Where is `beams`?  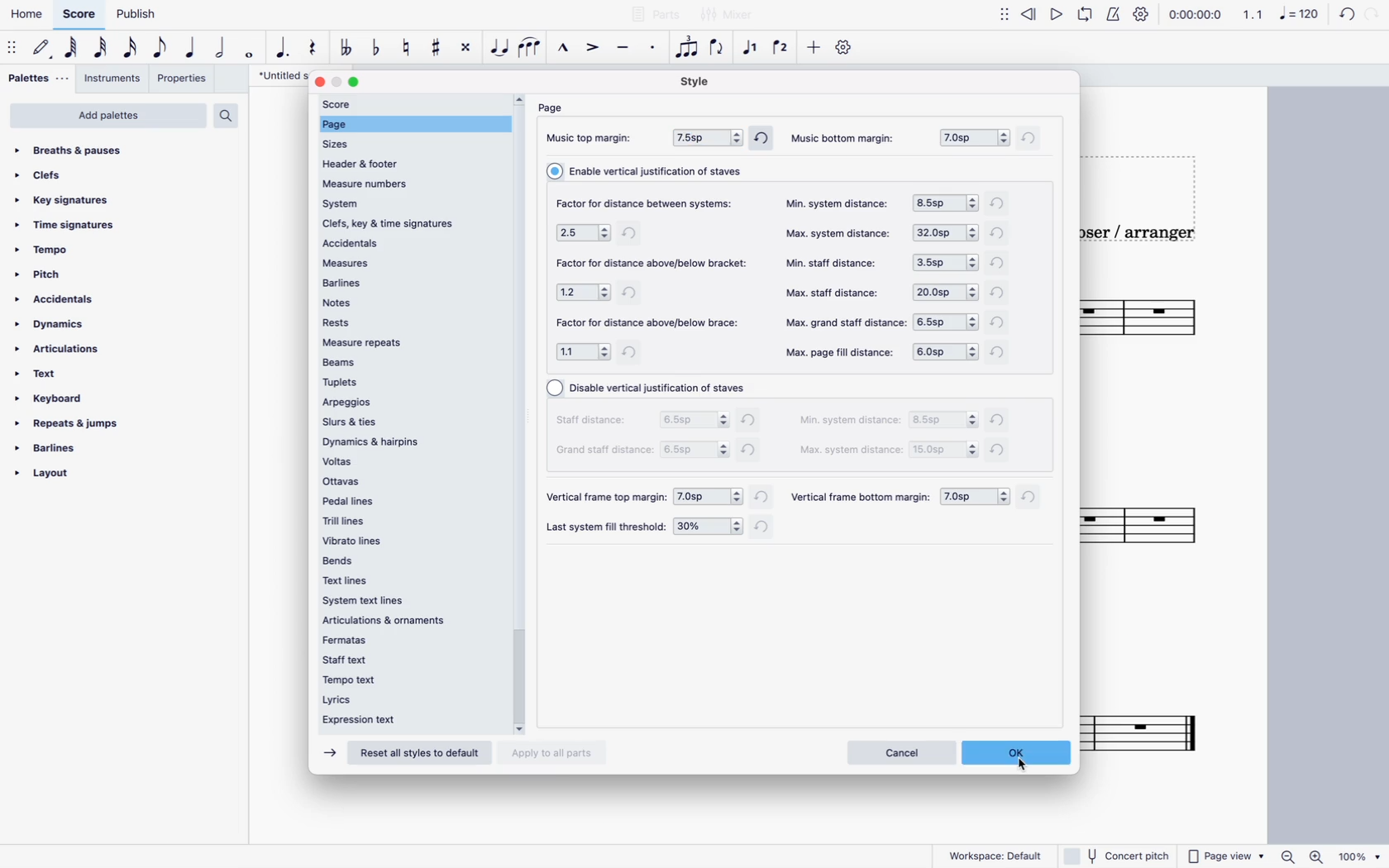
beams is located at coordinates (403, 362).